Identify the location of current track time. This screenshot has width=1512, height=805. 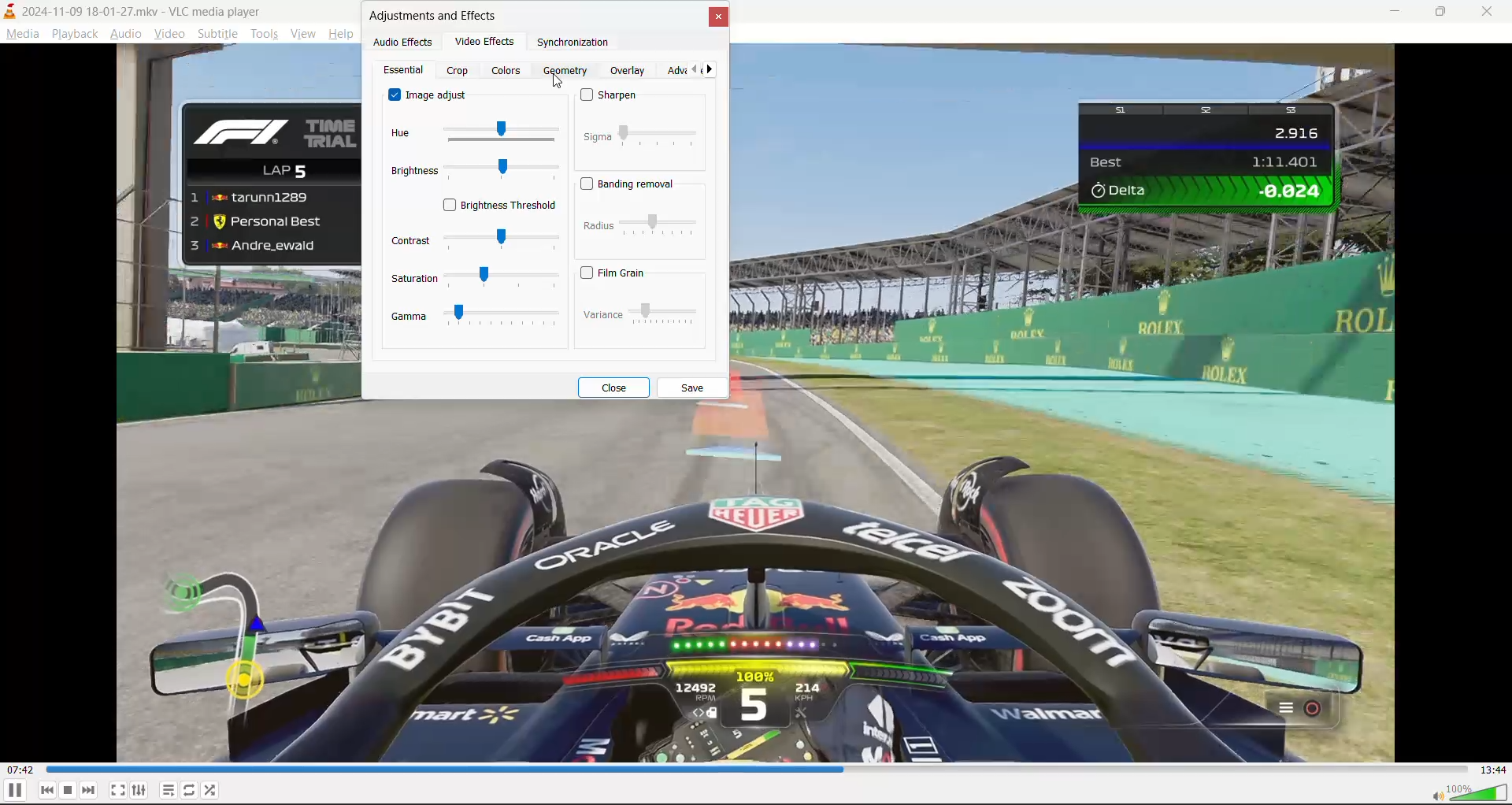
(23, 770).